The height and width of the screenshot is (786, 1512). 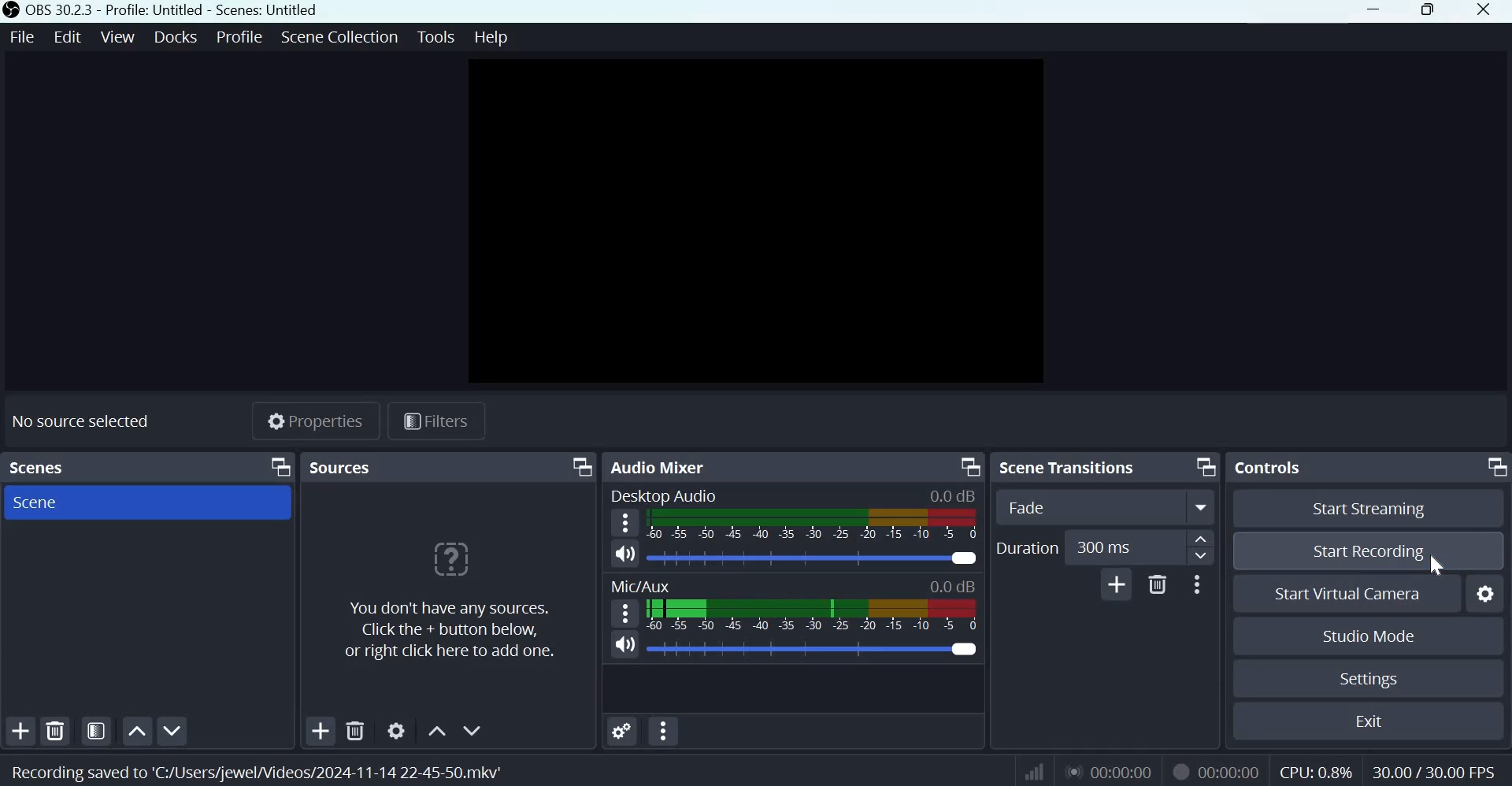 What do you see at coordinates (41, 503) in the screenshot?
I see `Scene` at bounding box center [41, 503].